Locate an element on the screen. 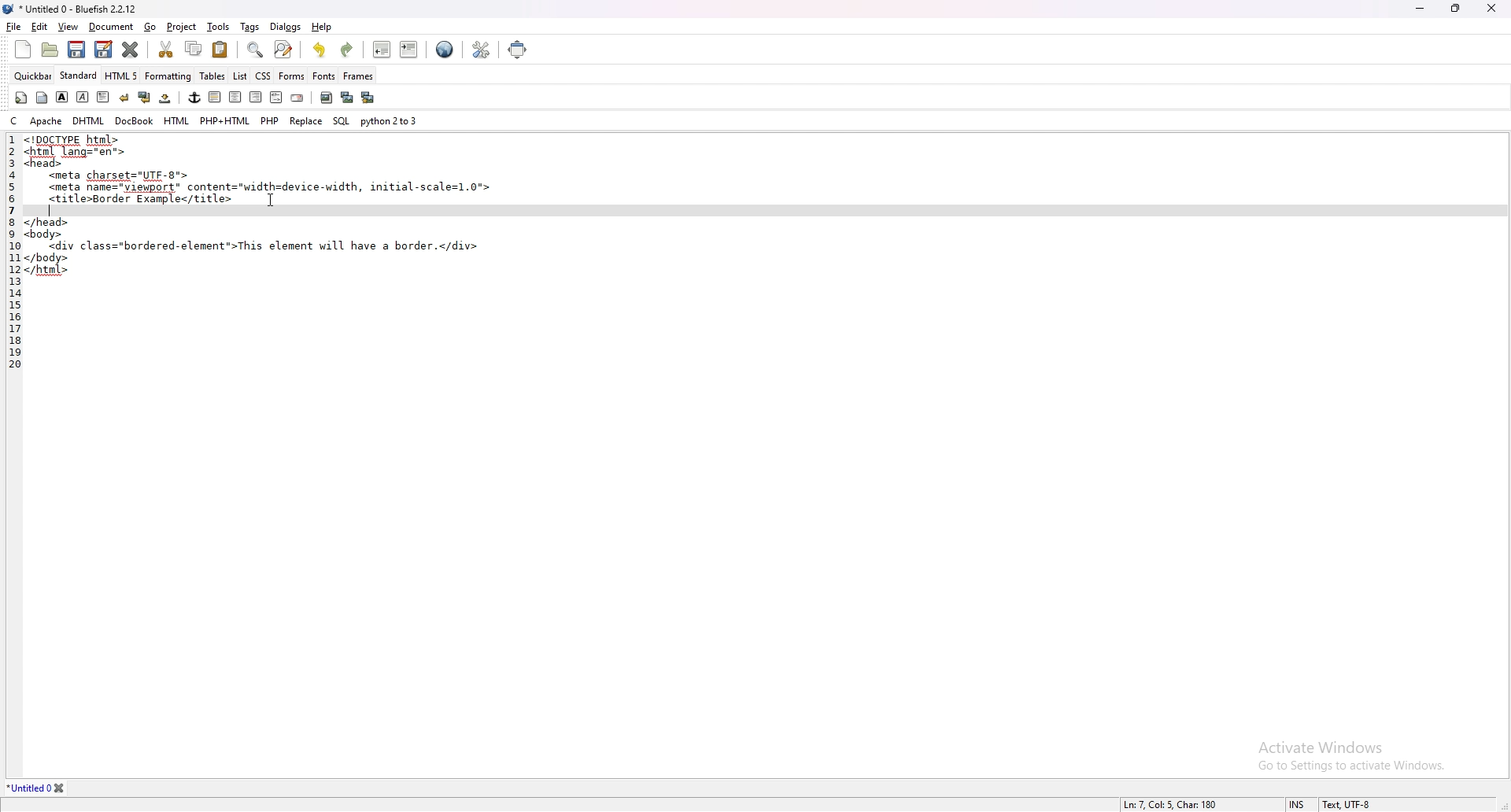  quickbar is located at coordinates (33, 76).